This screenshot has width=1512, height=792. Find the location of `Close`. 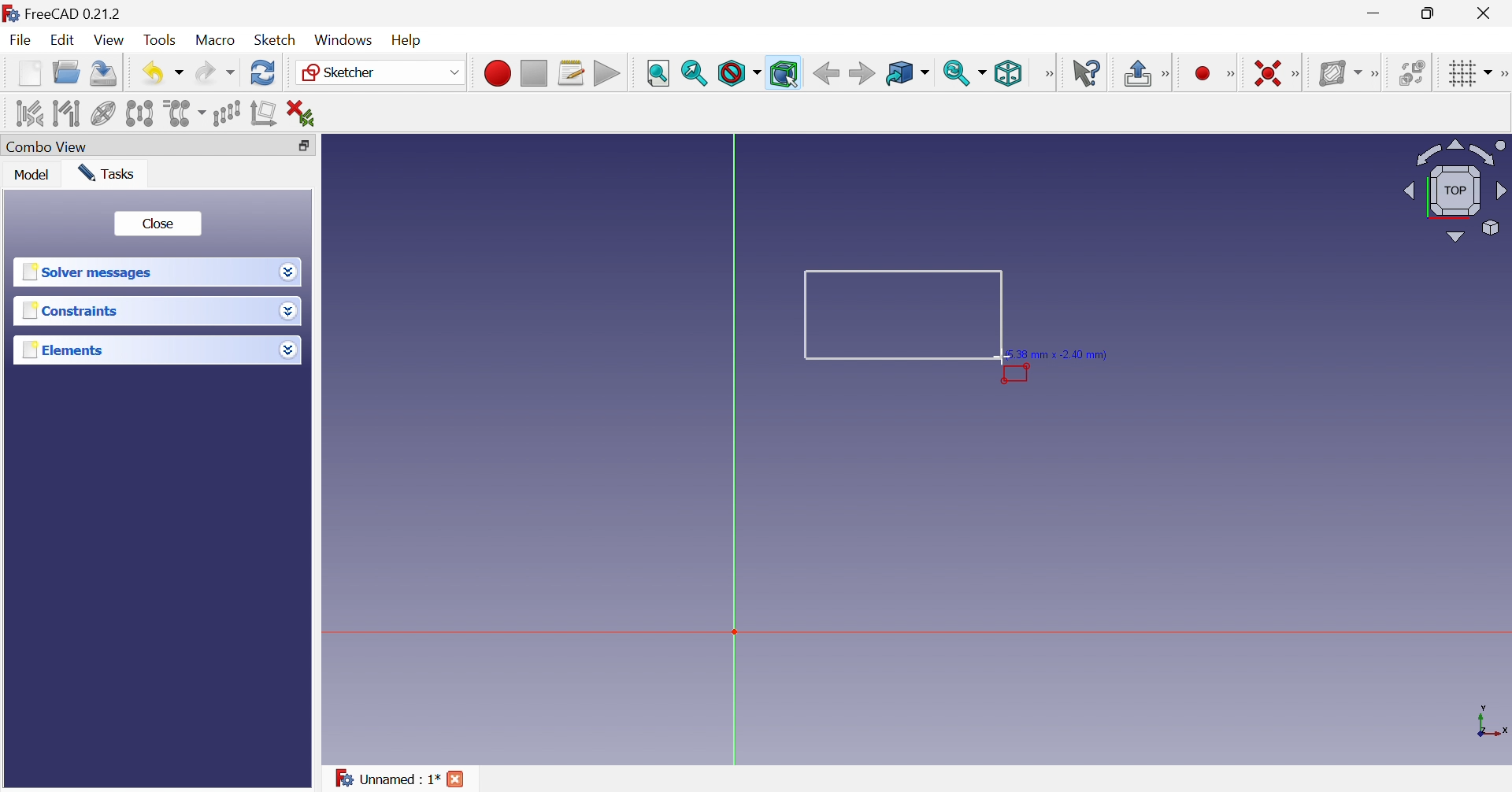

Close is located at coordinates (456, 778).